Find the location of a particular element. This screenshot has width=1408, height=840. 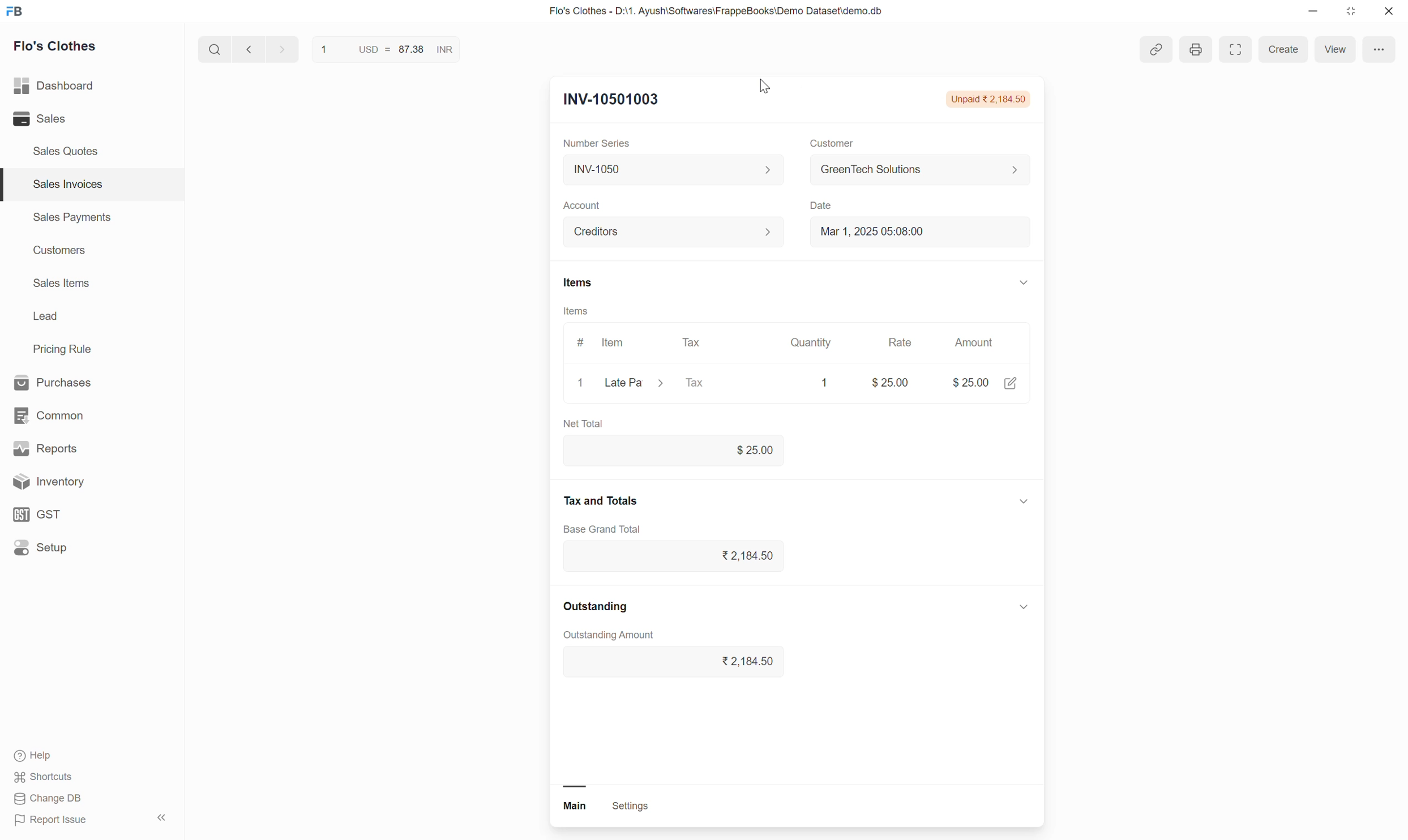

create  is located at coordinates (1283, 50).